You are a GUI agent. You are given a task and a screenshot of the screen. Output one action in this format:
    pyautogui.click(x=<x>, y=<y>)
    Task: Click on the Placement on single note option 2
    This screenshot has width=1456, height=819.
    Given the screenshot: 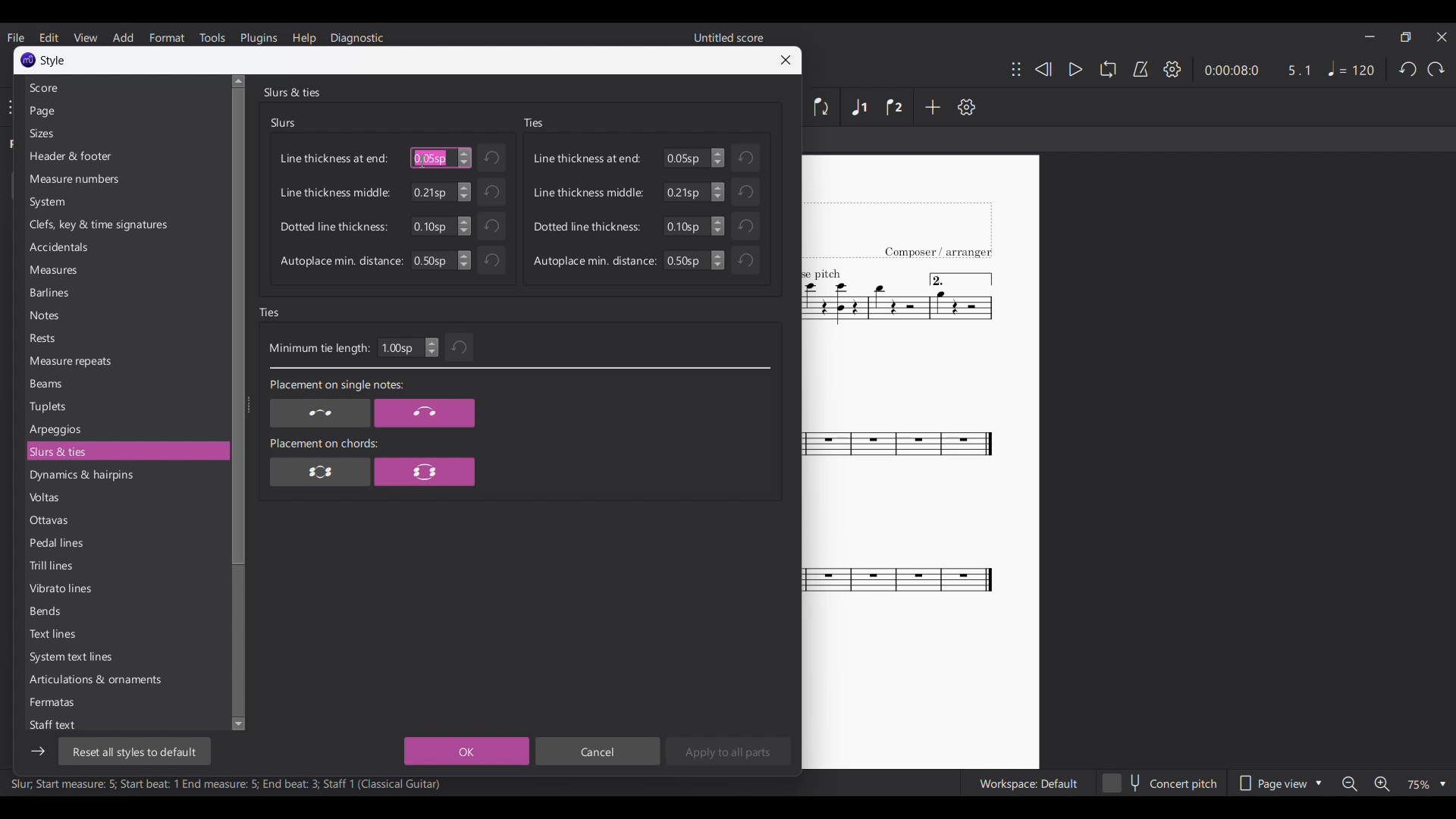 What is the action you would take?
    pyautogui.click(x=425, y=413)
    